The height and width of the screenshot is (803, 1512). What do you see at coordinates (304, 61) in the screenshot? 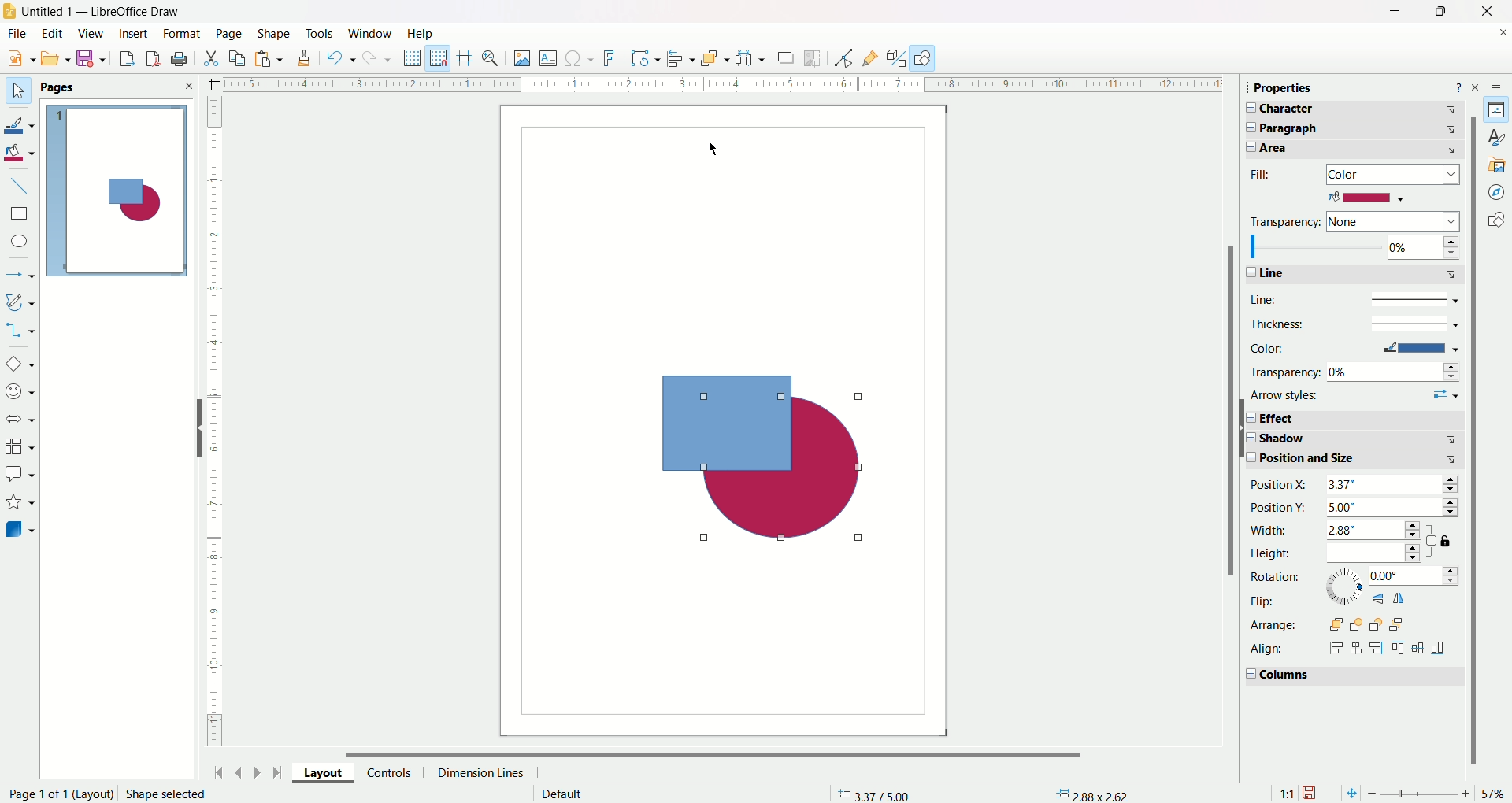
I see `clone formatting` at bounding box center [304, 61].